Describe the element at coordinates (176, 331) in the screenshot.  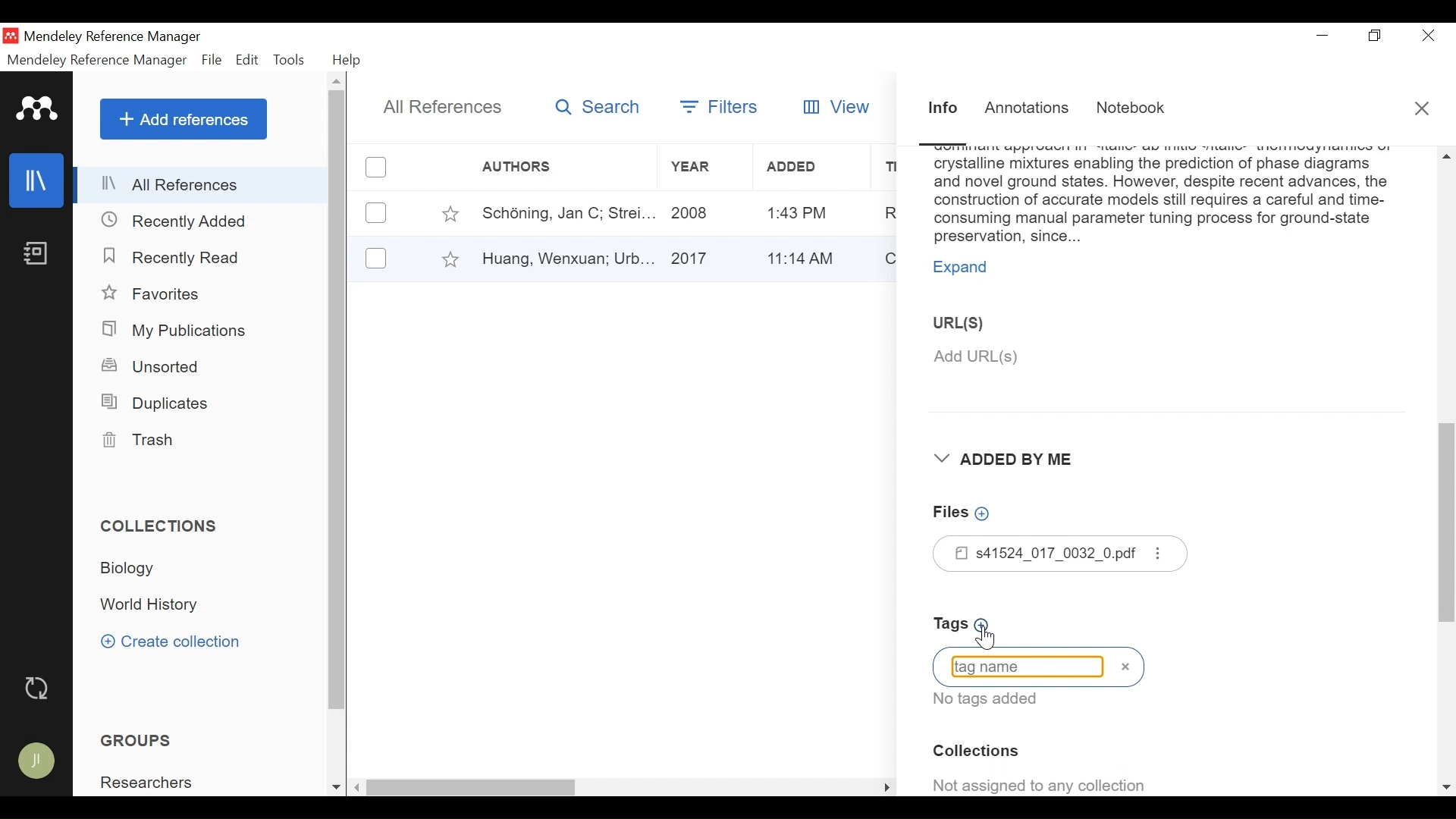
I see `My Publications` at that location.